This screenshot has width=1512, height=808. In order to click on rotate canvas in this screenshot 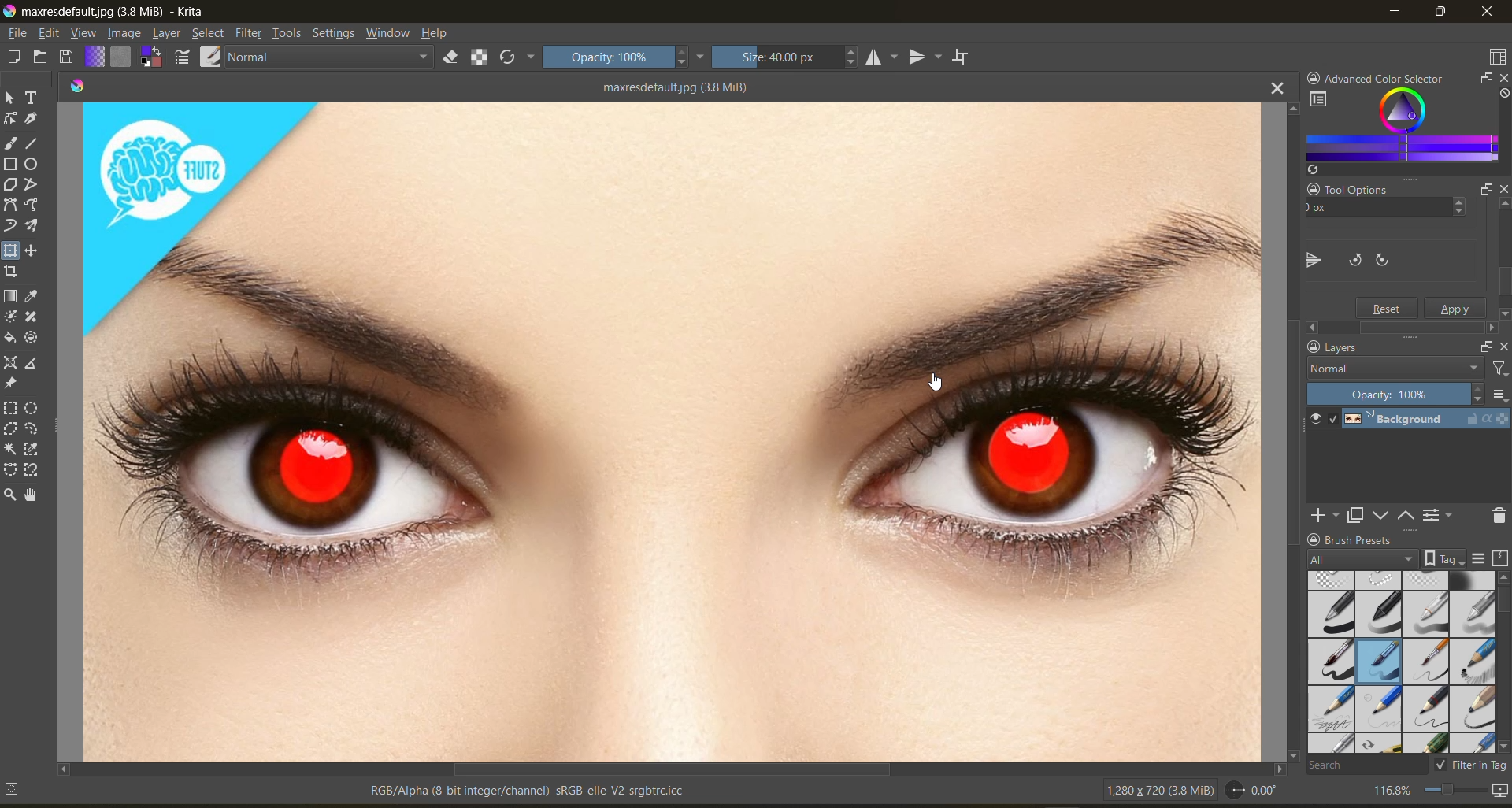, I will do `click(1256, 793)`.